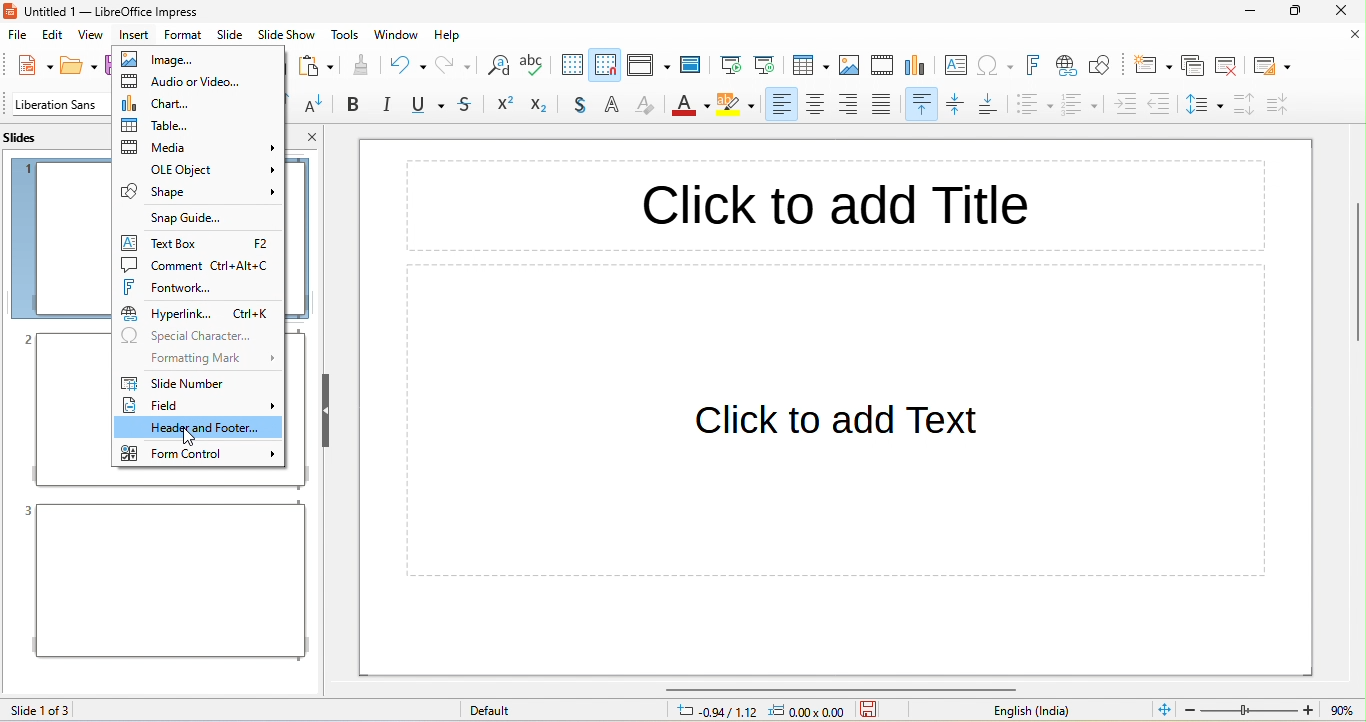  I want to click on hyperlink, so click(169, 313).